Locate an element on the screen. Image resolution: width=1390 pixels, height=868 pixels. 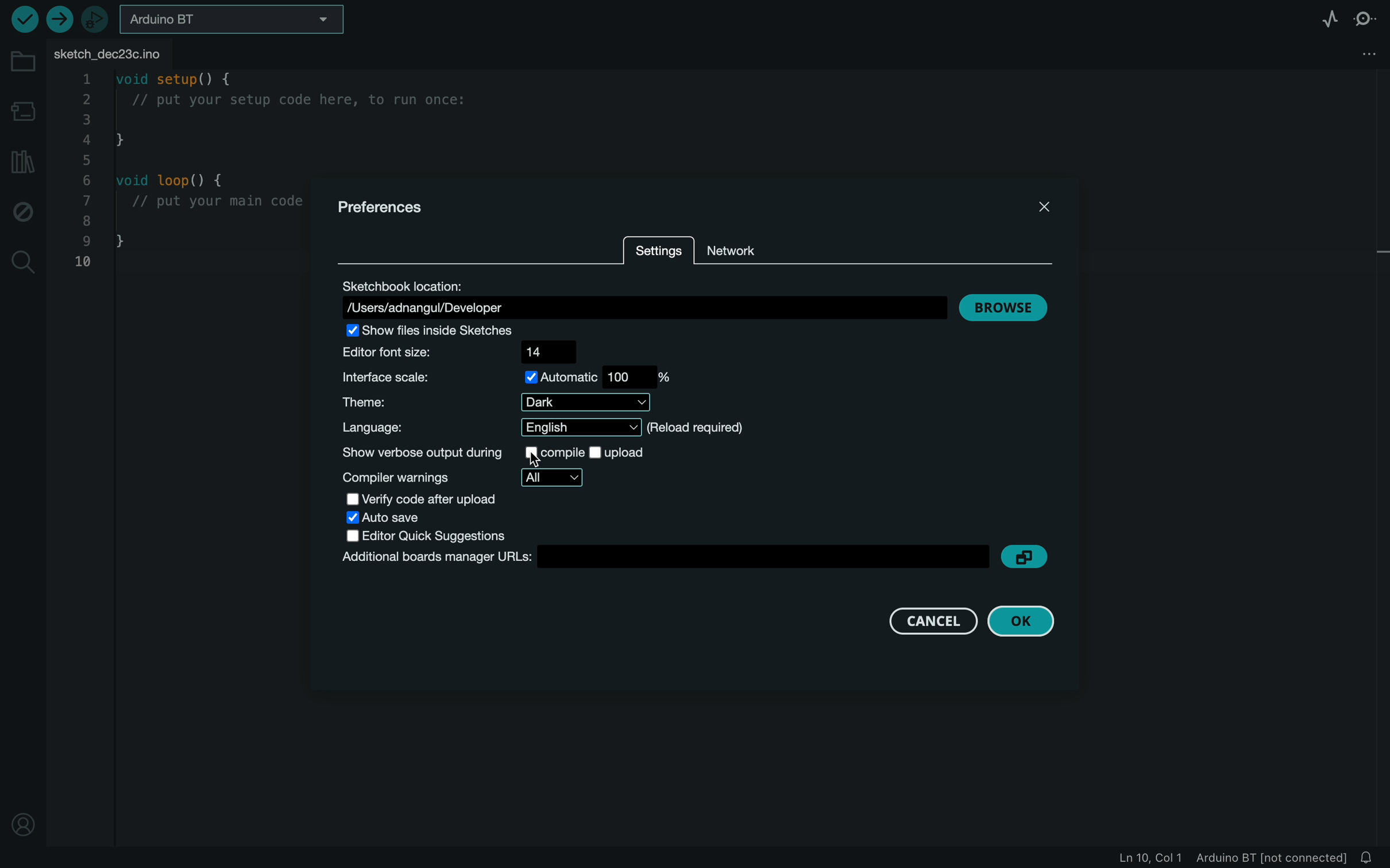
size is located at coordinates (462, 351).